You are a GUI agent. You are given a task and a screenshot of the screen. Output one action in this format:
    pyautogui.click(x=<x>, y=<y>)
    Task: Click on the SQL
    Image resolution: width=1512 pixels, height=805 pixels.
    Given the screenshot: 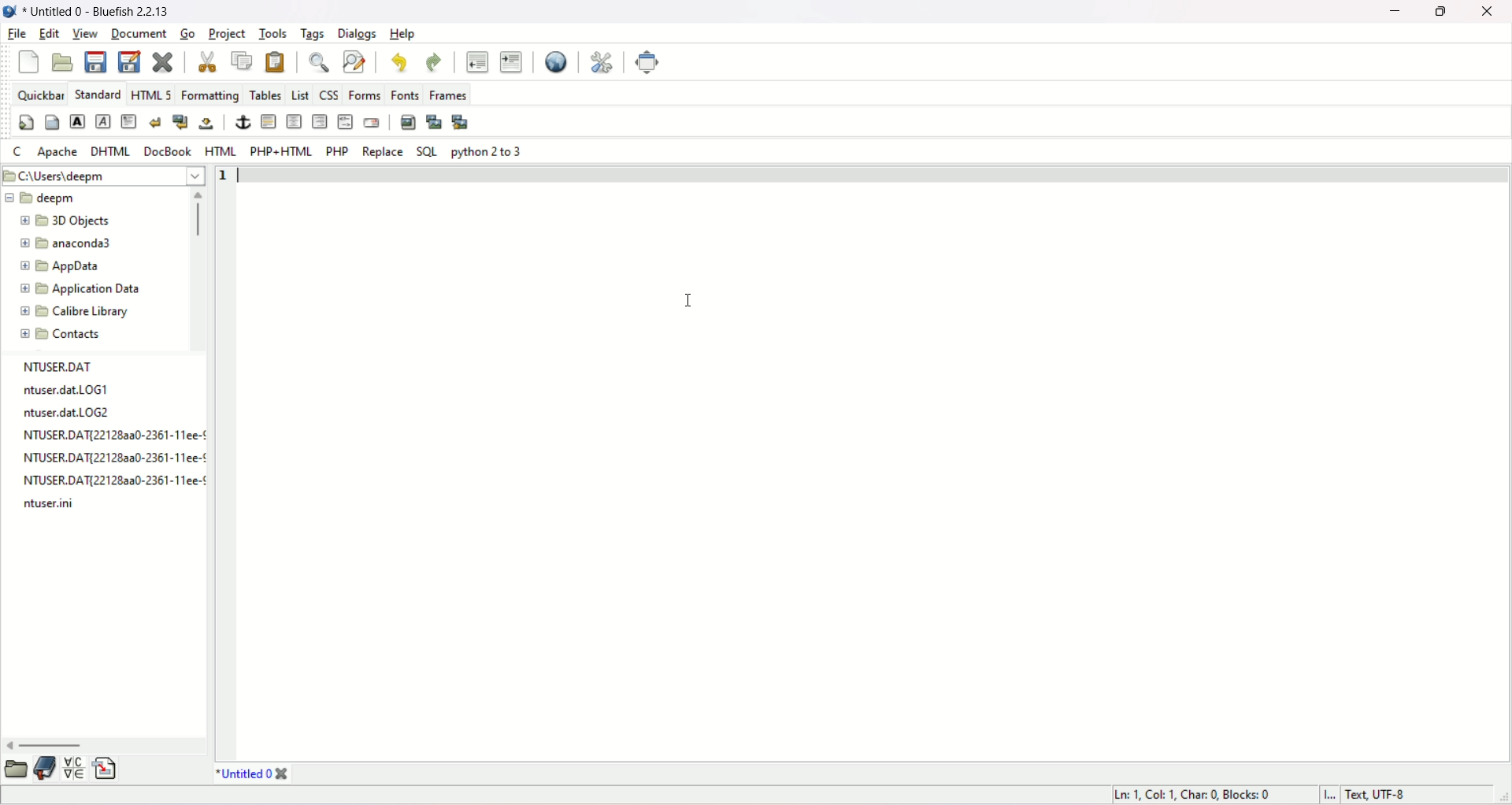 What is the action you would take?
    pyautogui.click(x=427, y=153)
    